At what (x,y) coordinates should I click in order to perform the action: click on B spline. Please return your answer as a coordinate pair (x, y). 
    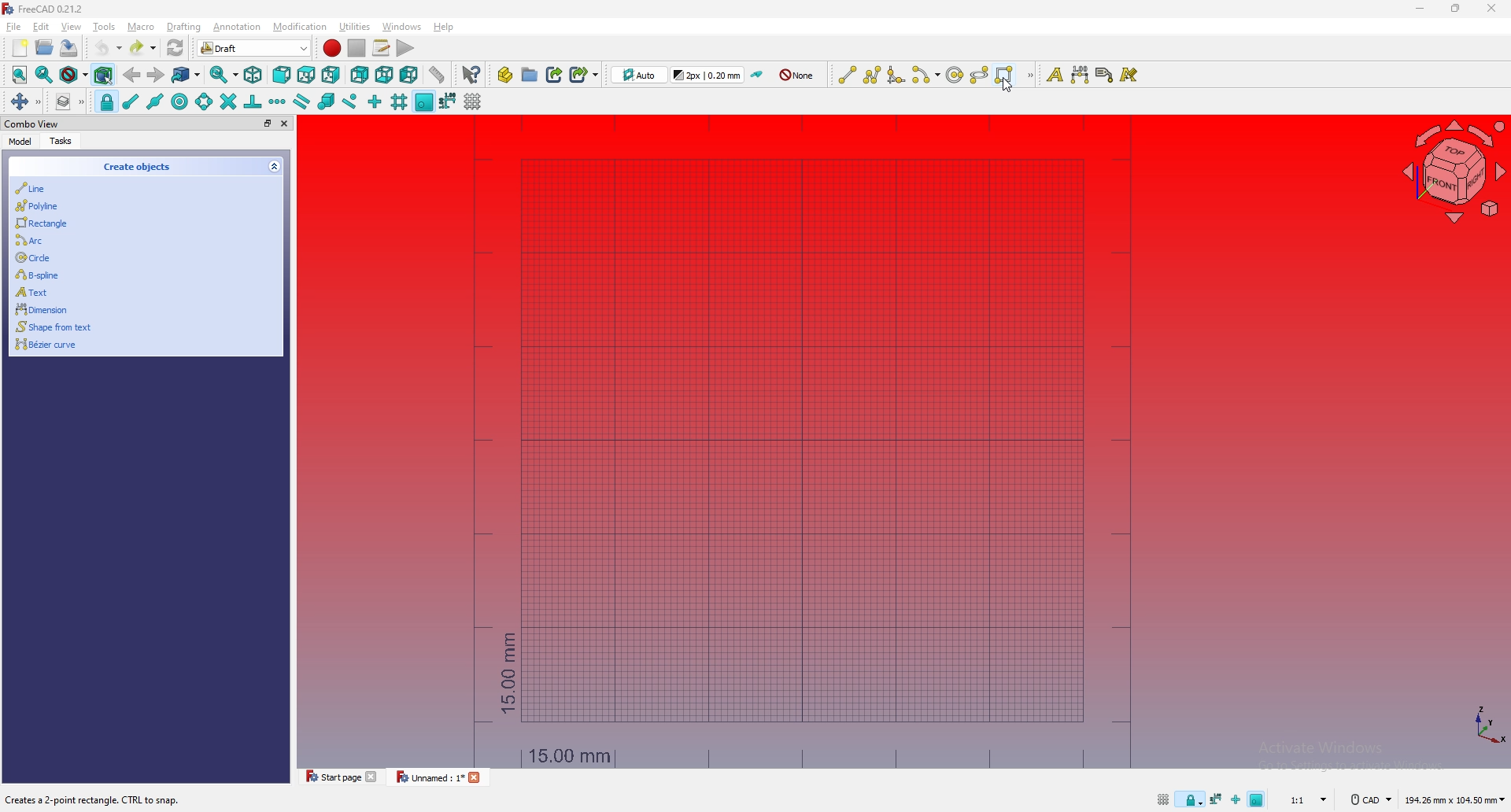
    Looking at the image, I should click on (139, 275).